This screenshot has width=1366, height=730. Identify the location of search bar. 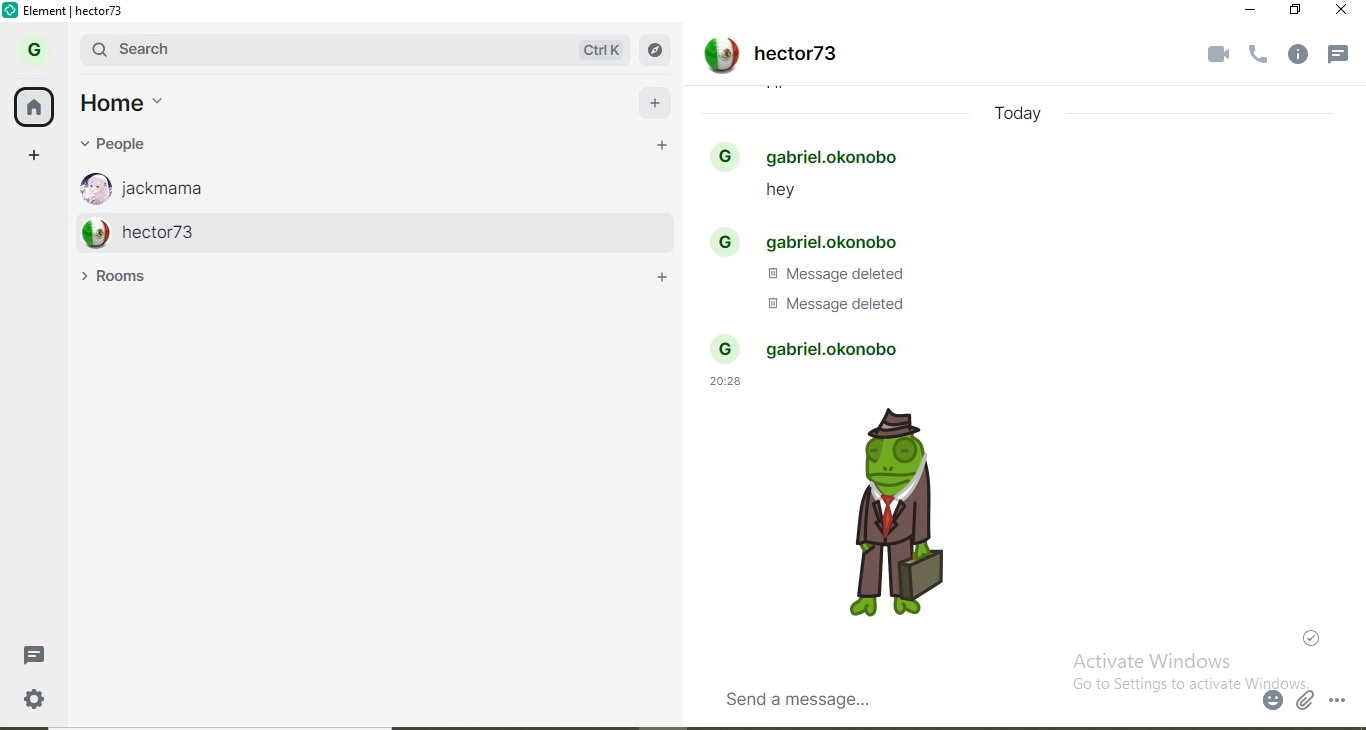
(307, 49).